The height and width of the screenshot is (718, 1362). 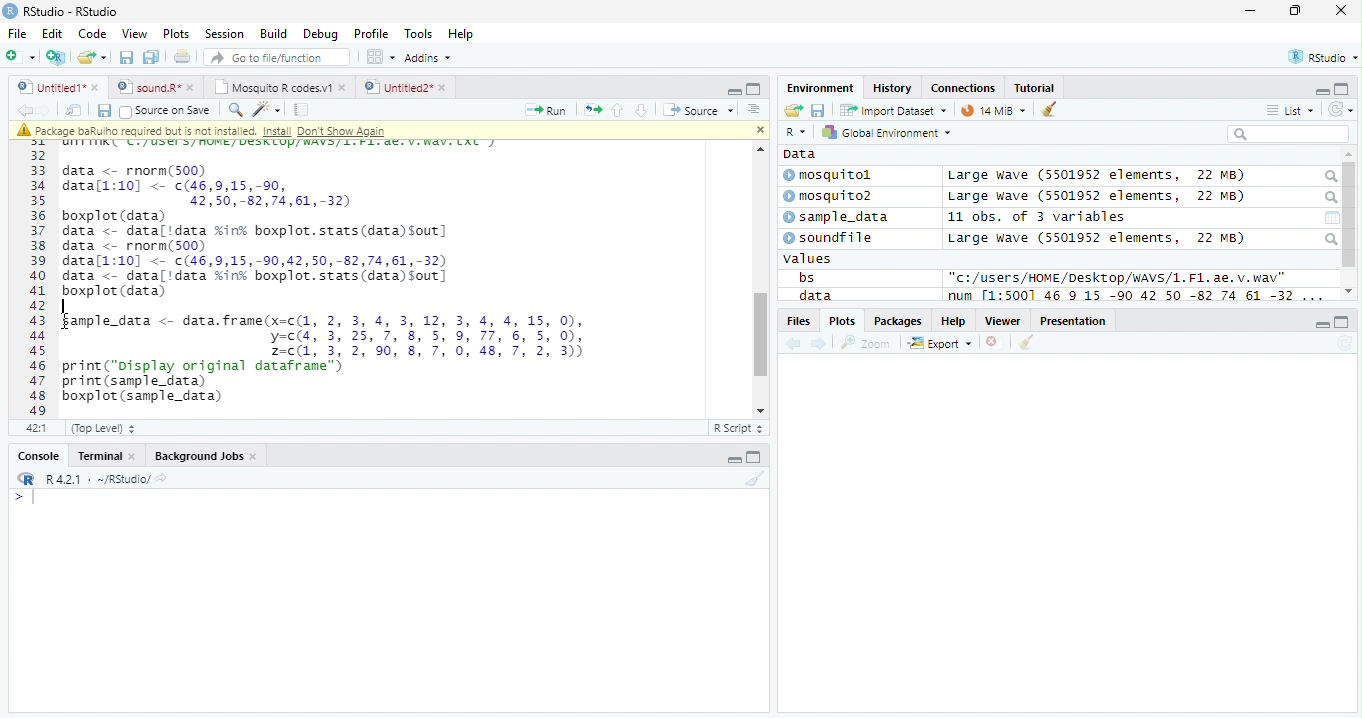 What do you see at coordinates (642, 111) in the screenshot?
I see `Go to next session` at bounding box center [642, 111].